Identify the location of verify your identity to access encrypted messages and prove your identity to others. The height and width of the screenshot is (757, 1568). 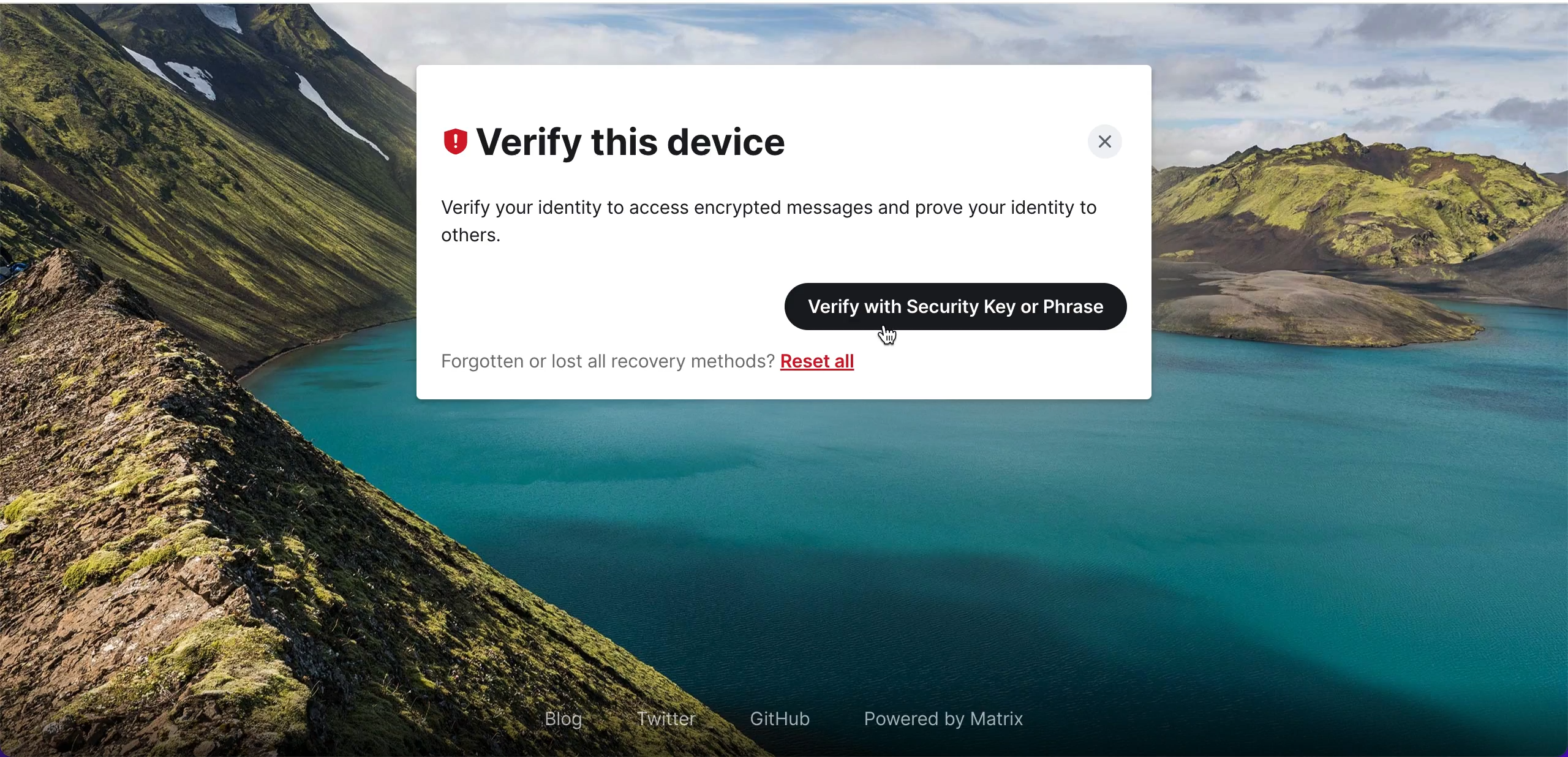
(784, 219).